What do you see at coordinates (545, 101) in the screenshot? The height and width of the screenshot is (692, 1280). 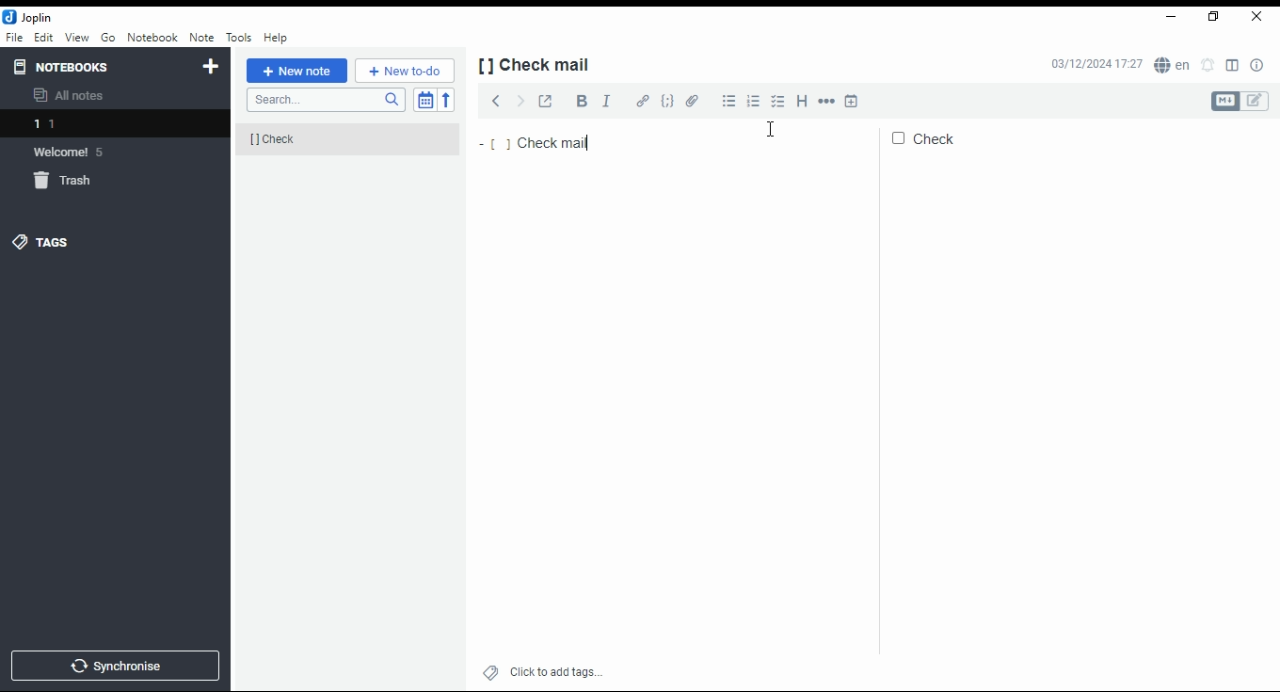 I see `toggle external editing` at bounding box center [545, 101].